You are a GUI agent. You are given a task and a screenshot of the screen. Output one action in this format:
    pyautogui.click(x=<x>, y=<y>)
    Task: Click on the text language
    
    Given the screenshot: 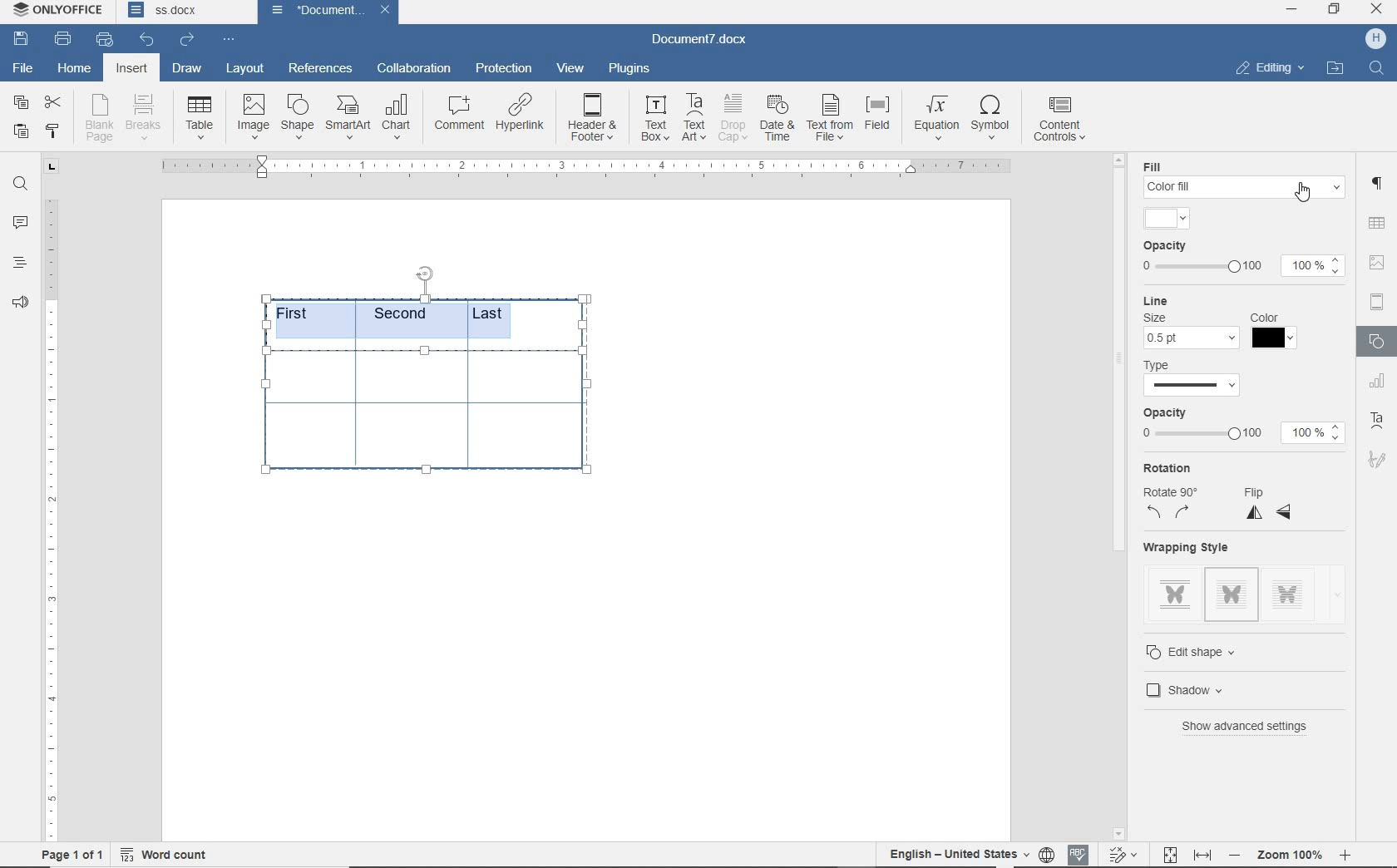 What is the action you would take?
    pyautogui.click(x=959, y=852)
    